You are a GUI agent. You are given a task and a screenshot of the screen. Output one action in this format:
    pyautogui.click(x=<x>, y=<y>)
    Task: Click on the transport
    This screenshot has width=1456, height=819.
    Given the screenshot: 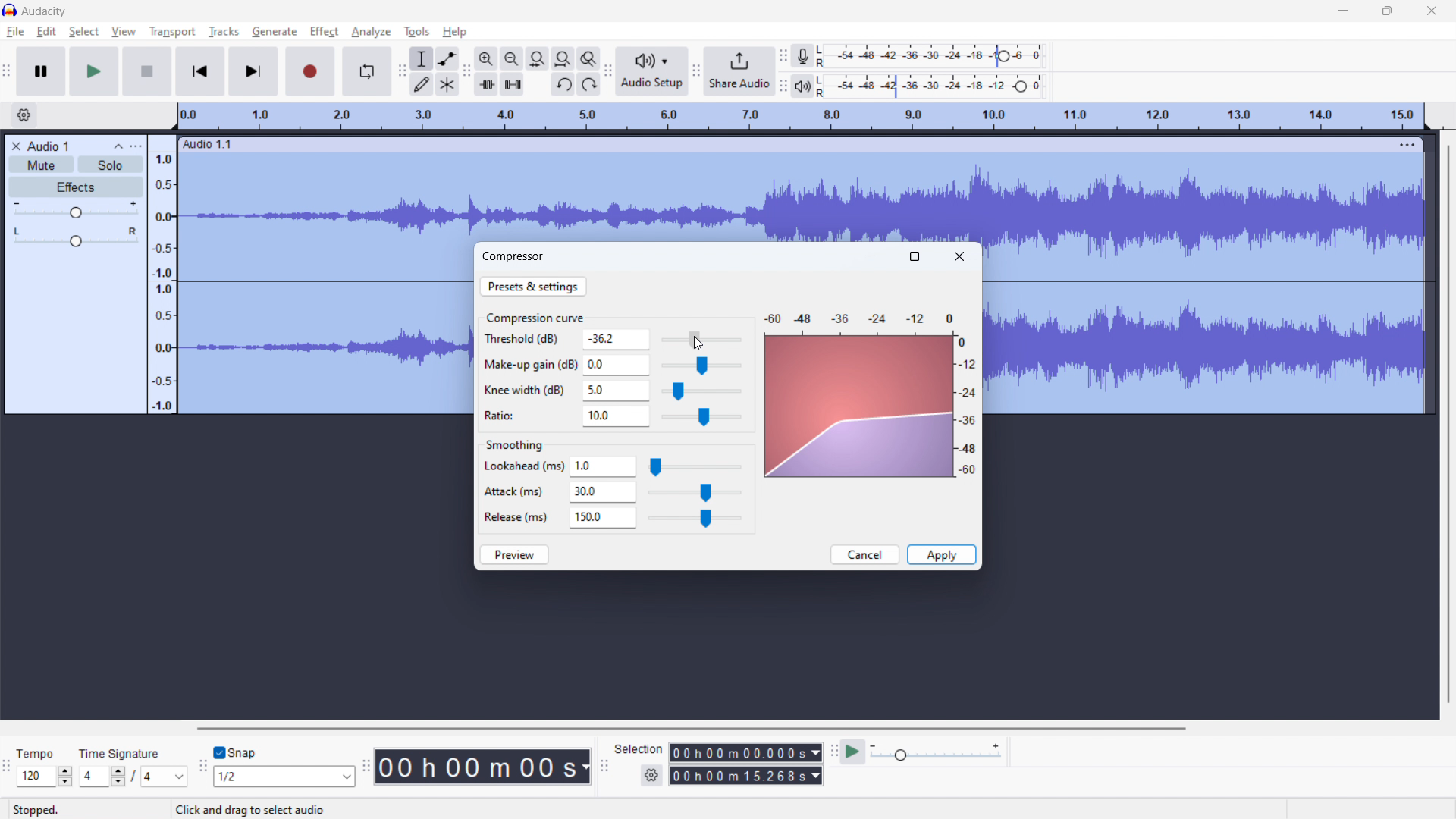 What is the action you would take?
    pyautogui.click(x=172, y=32)
    